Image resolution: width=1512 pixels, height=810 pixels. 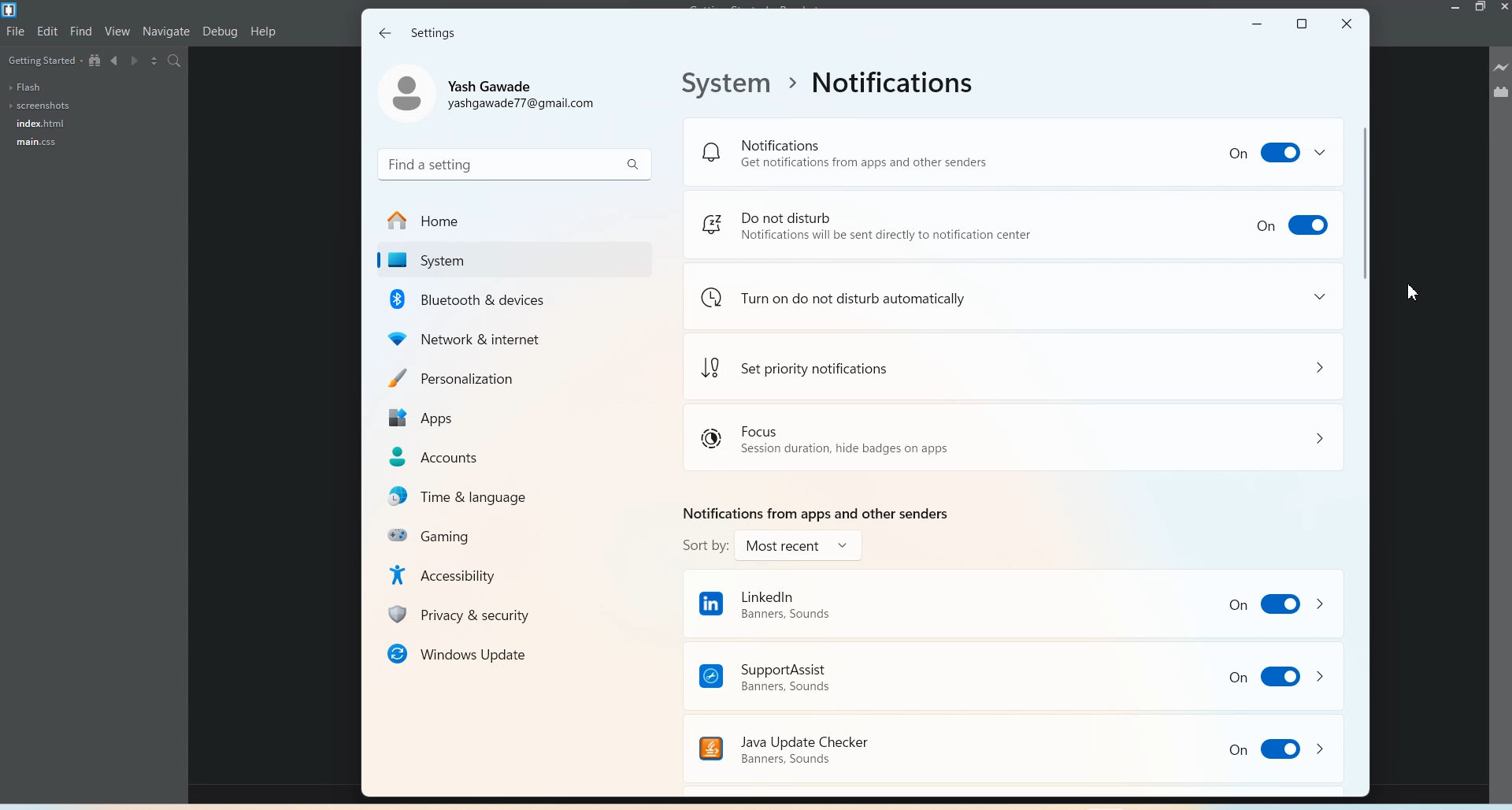 I want to click on Maximize, so click(x=1481, y=9).